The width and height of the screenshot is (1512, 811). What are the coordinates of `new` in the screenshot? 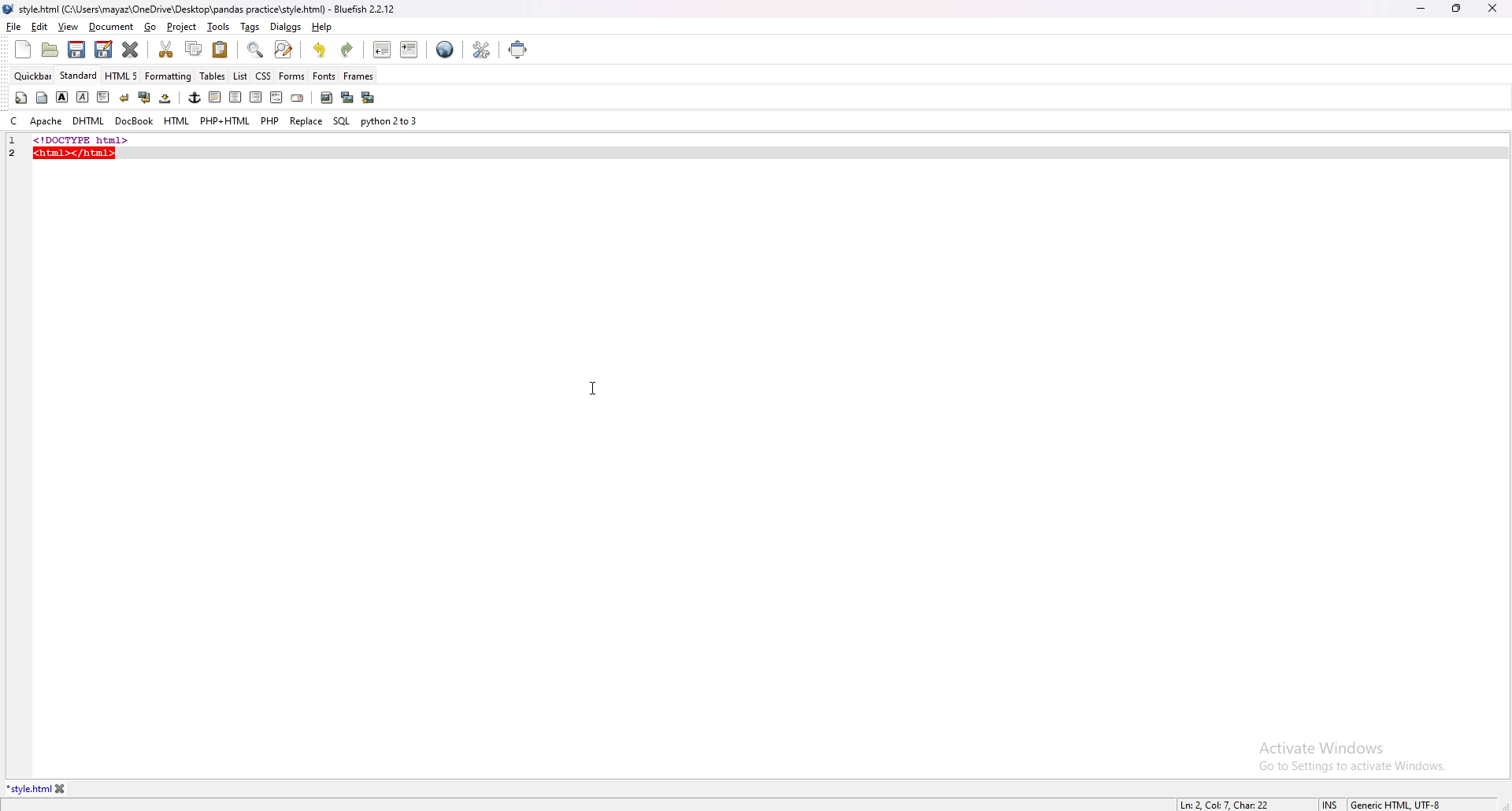 It's located at (23, 50).